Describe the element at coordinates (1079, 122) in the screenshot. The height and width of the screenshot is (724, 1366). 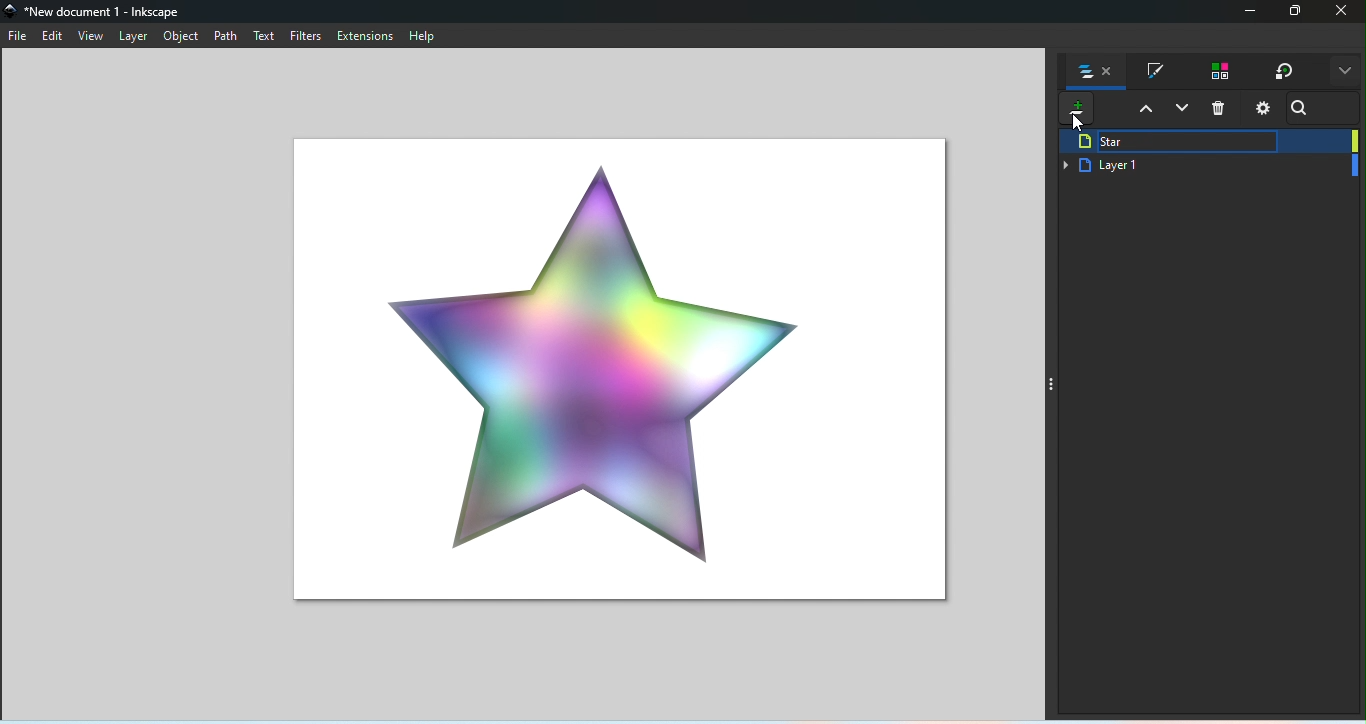
I see `cursor` at that location.